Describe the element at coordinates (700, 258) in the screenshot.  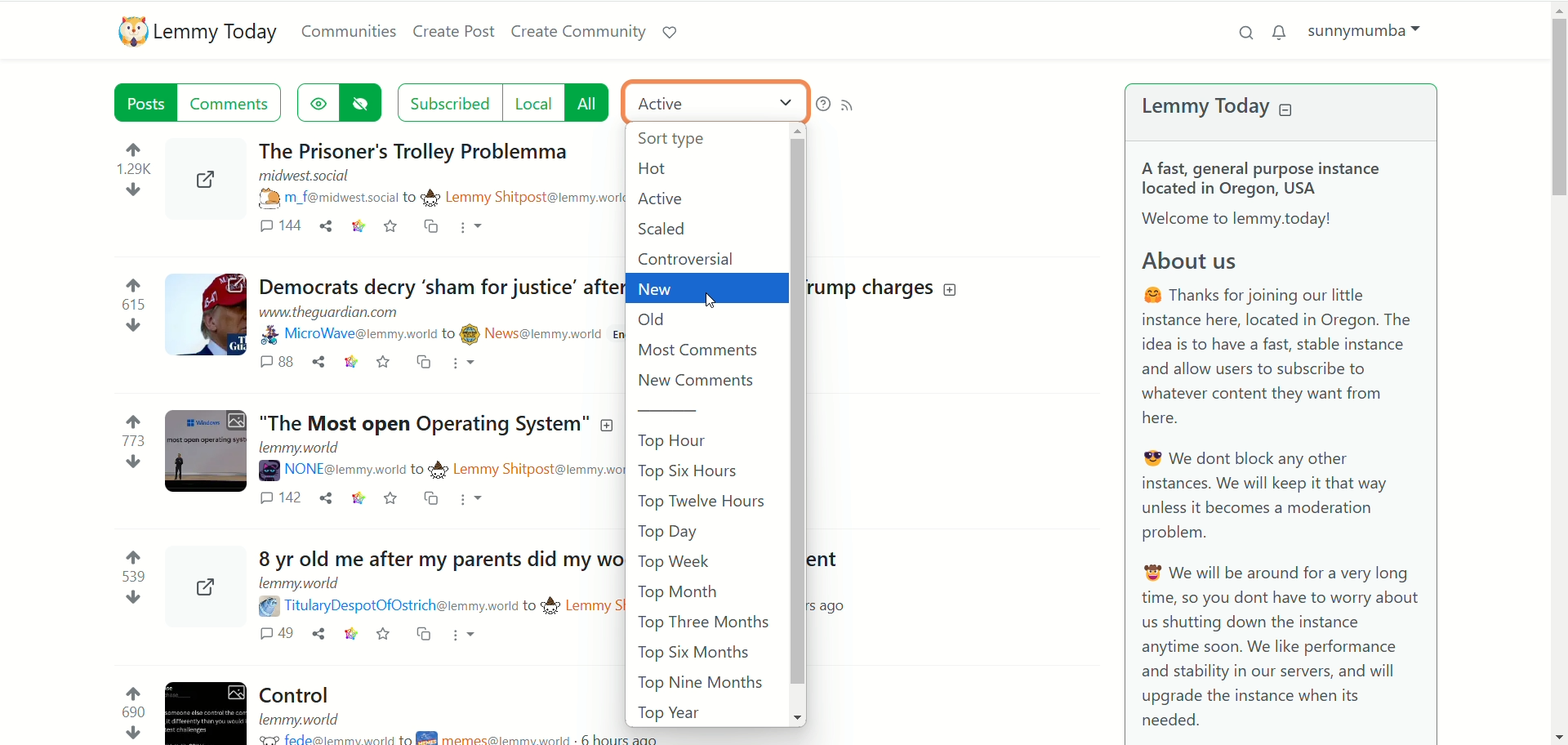
I see `controversial` at that location.